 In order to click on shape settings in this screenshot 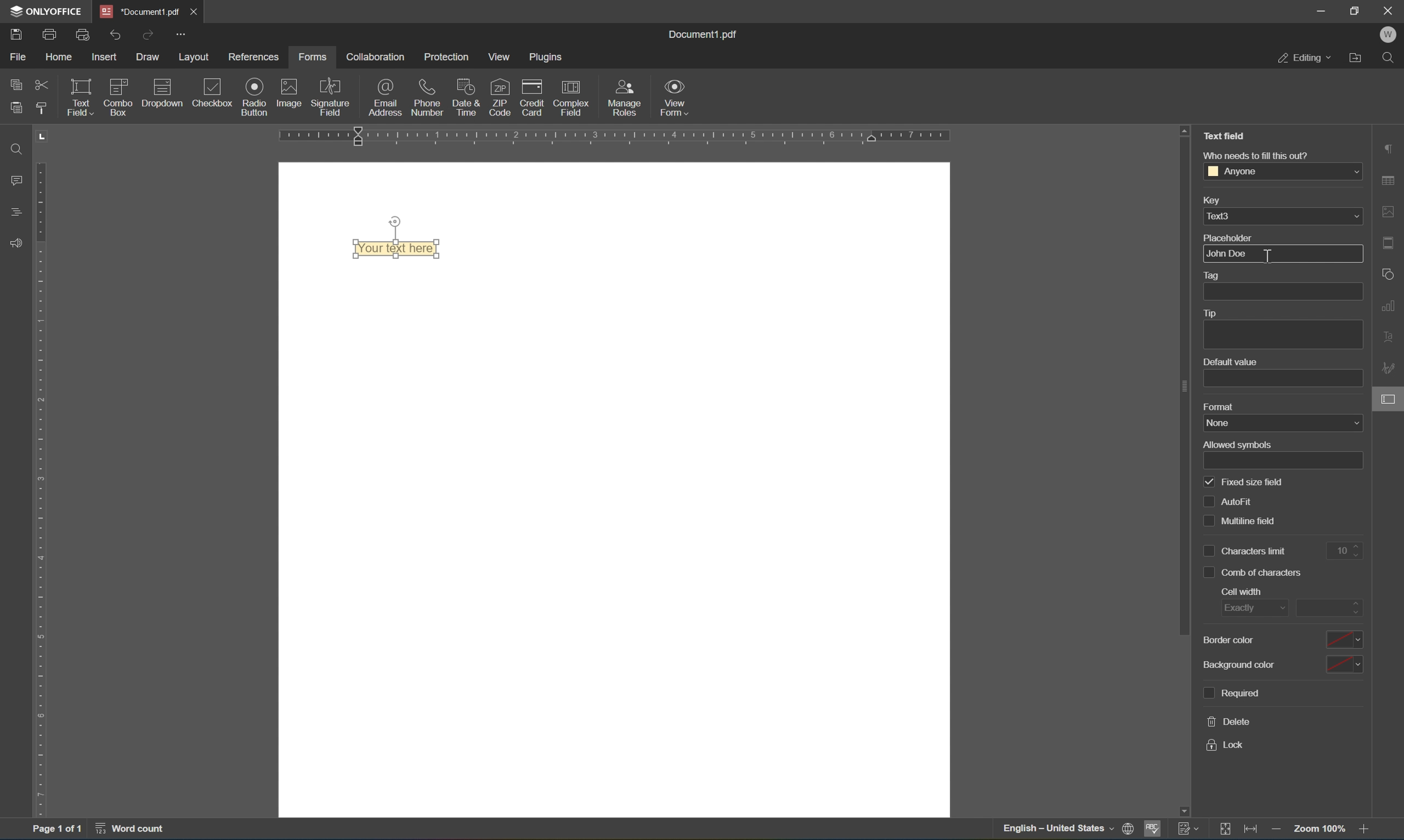, I will do `click(1388, 273)`.